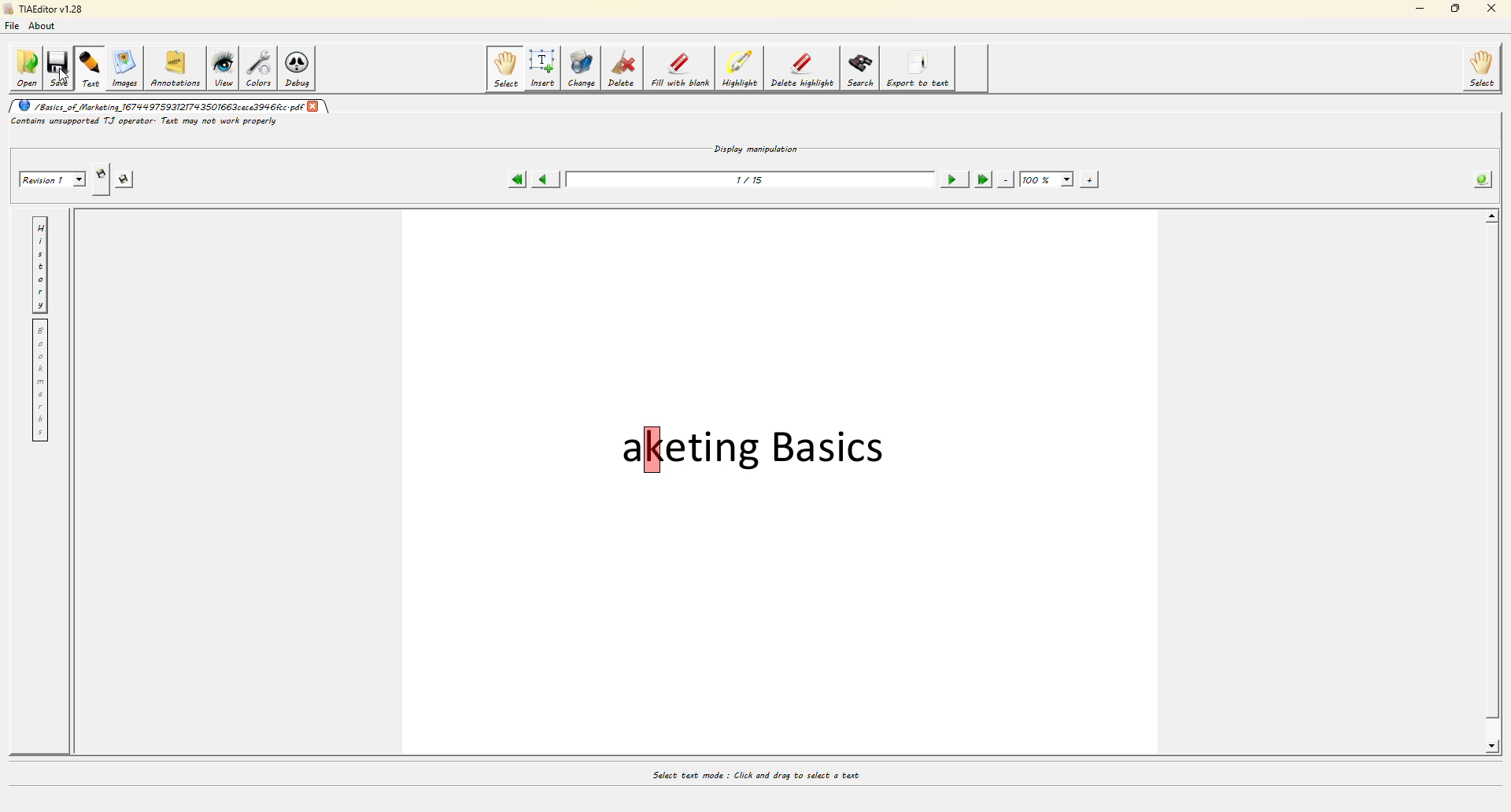 The width and height of the screenshot is (1511, 812). Describe the element at coordinates (860, 68) in the screenshot. I see `search` at that location.